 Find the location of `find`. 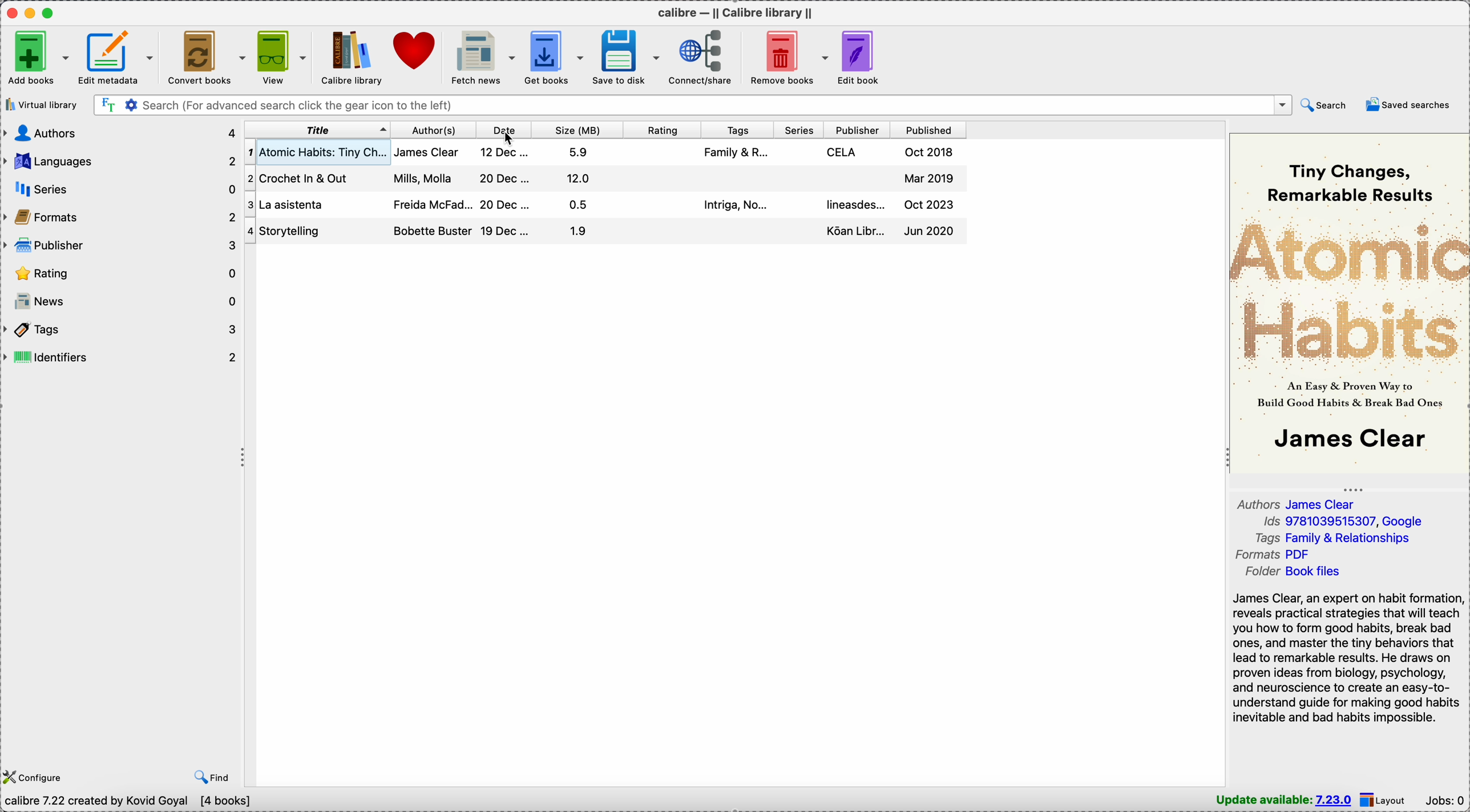

find is located at coordinates (209, 776).